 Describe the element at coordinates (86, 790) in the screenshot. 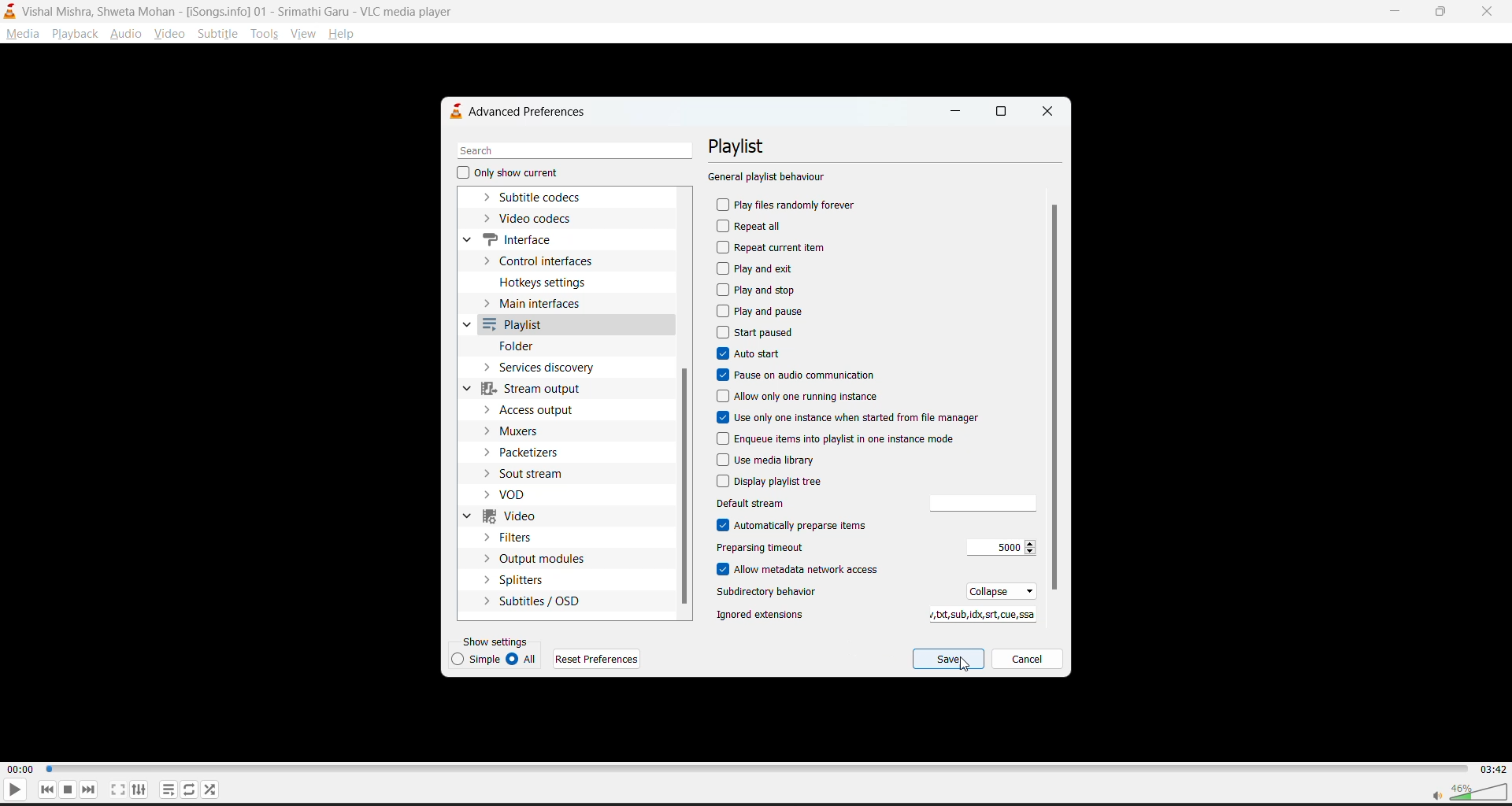

I see `next` at that location.